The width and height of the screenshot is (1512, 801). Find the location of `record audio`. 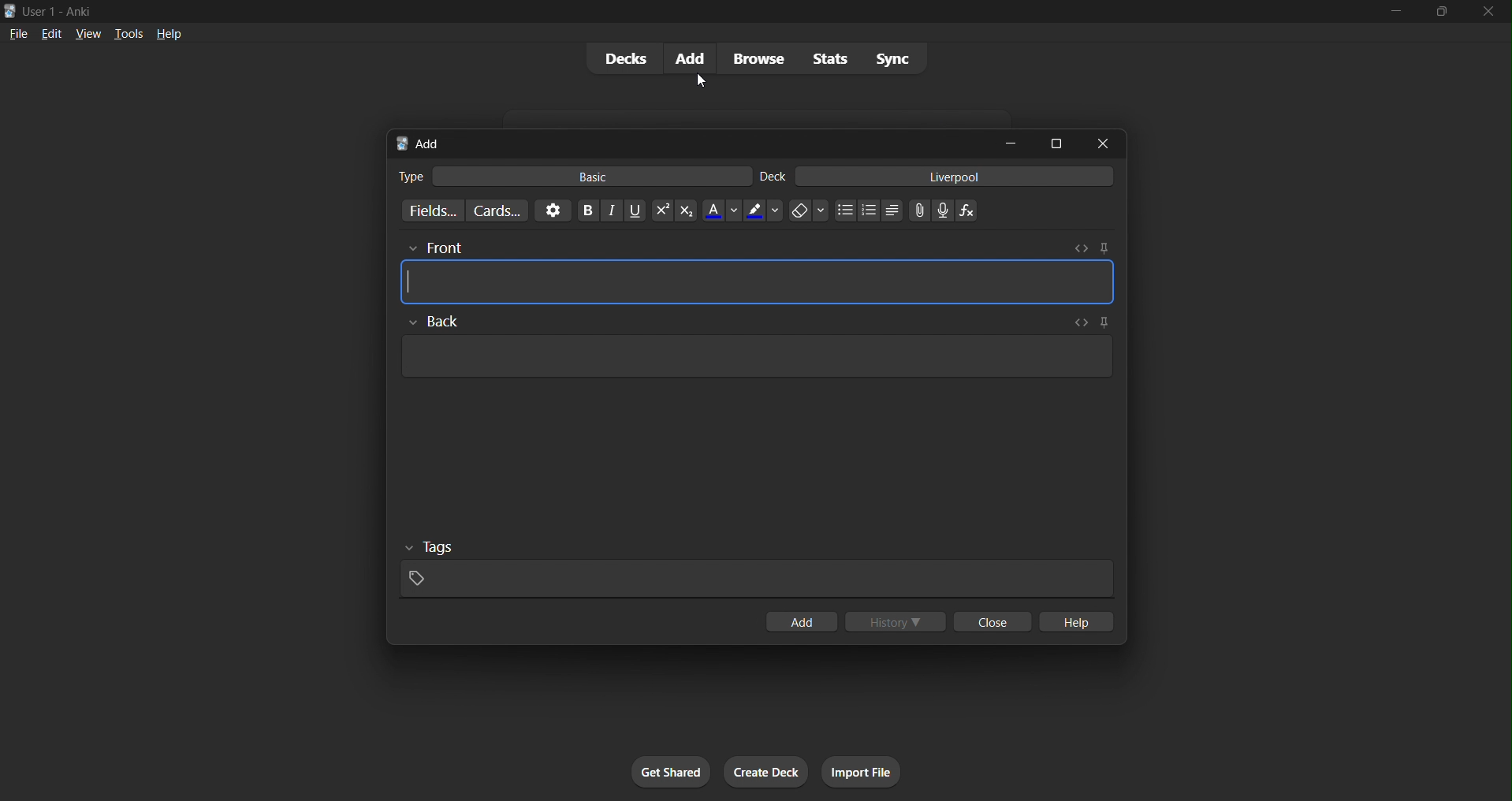

record audio is located at coordinates (944, 210).